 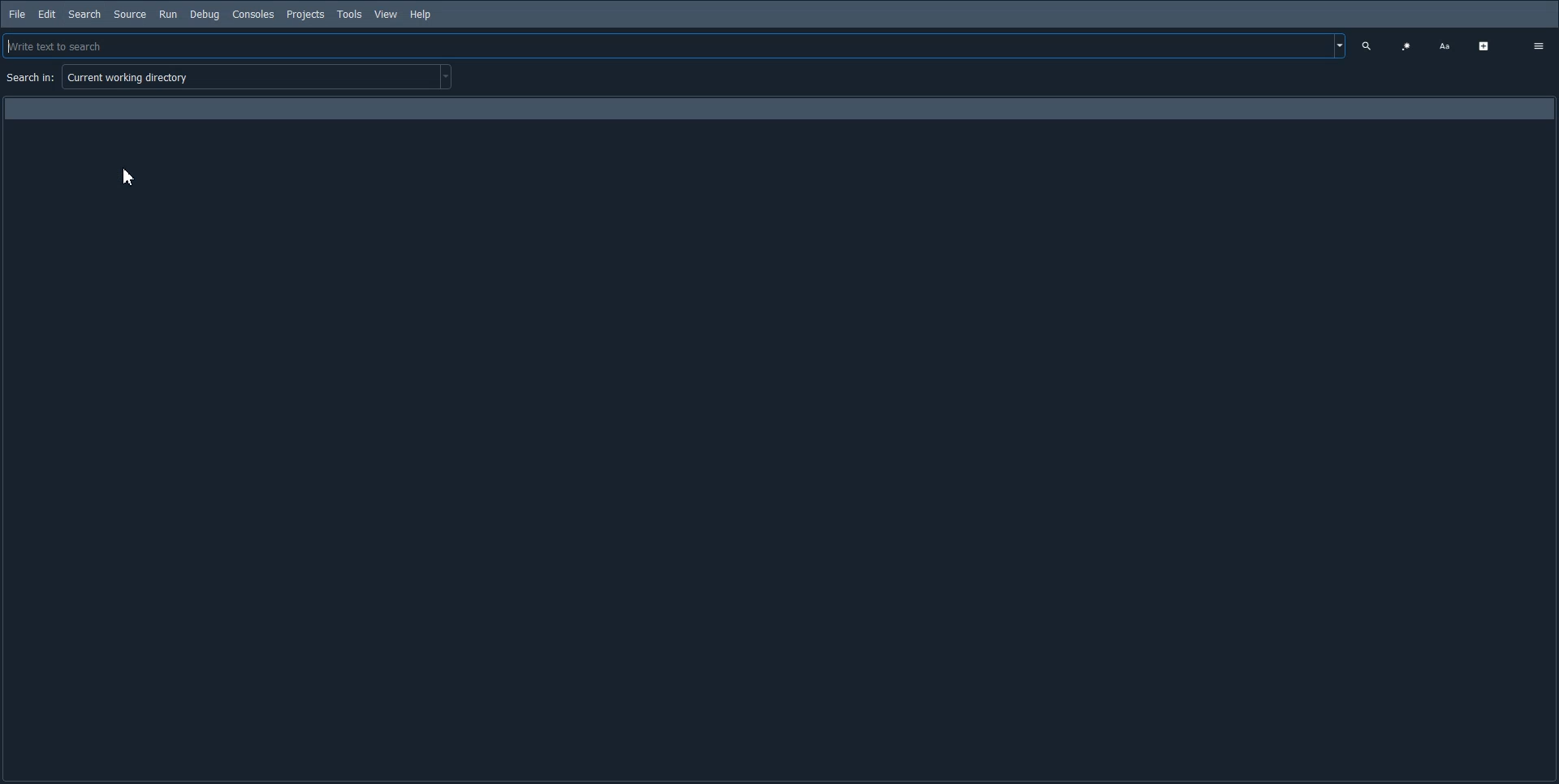 I want to click on Search text, so click(x=1369, y=45).